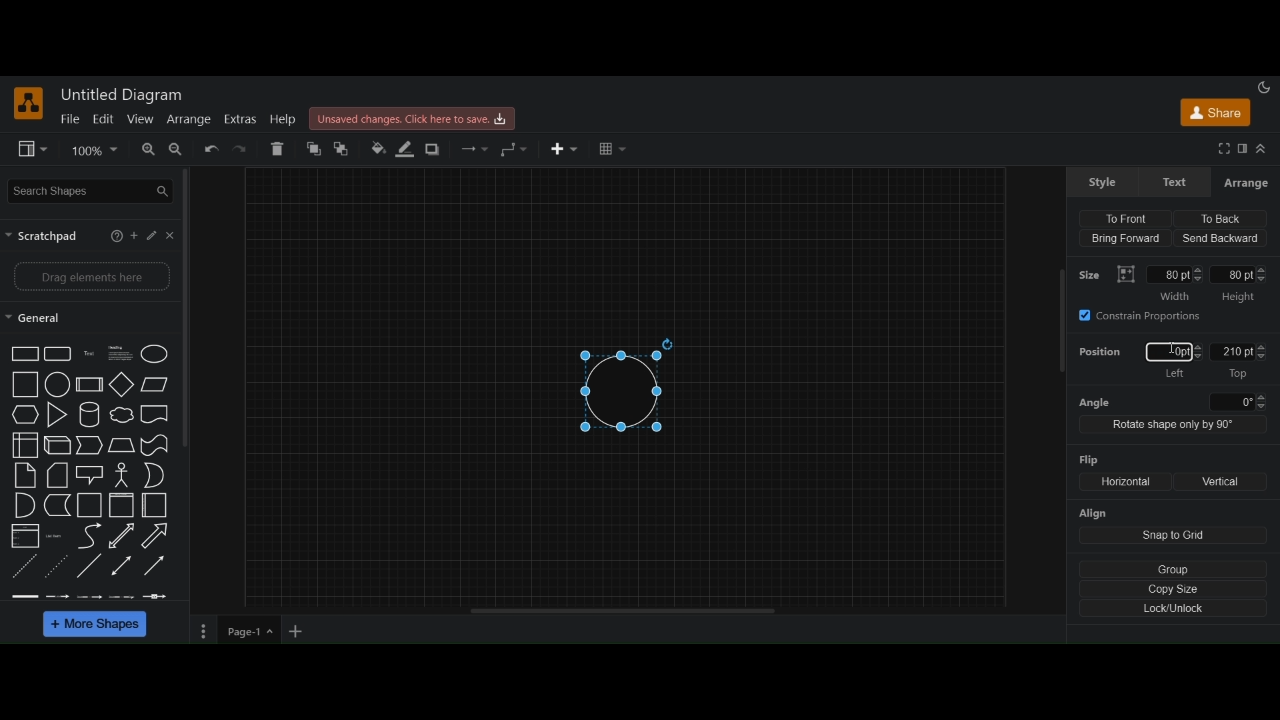 This screenshot has height=720, width=1280. I want to click on view, so click(34, 150).